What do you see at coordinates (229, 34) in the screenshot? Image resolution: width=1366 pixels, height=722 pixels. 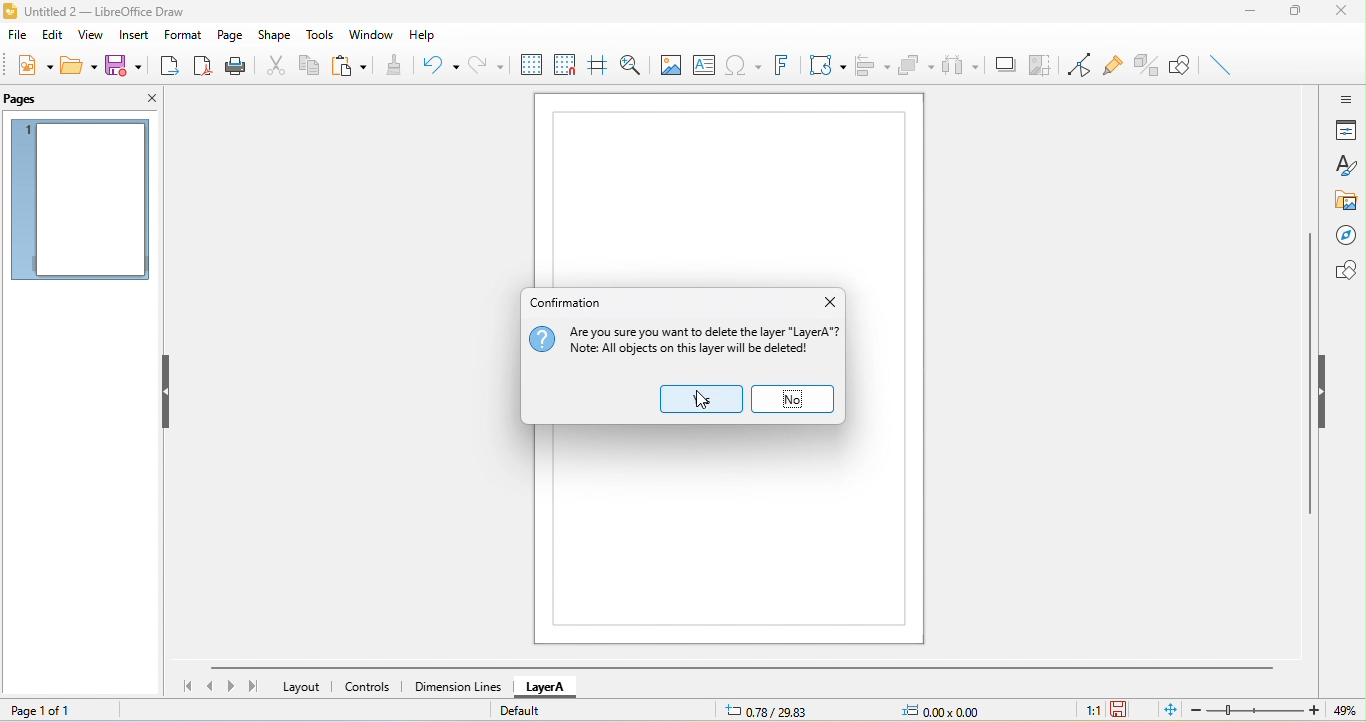 I see `page` at bounding box center [229, 34].